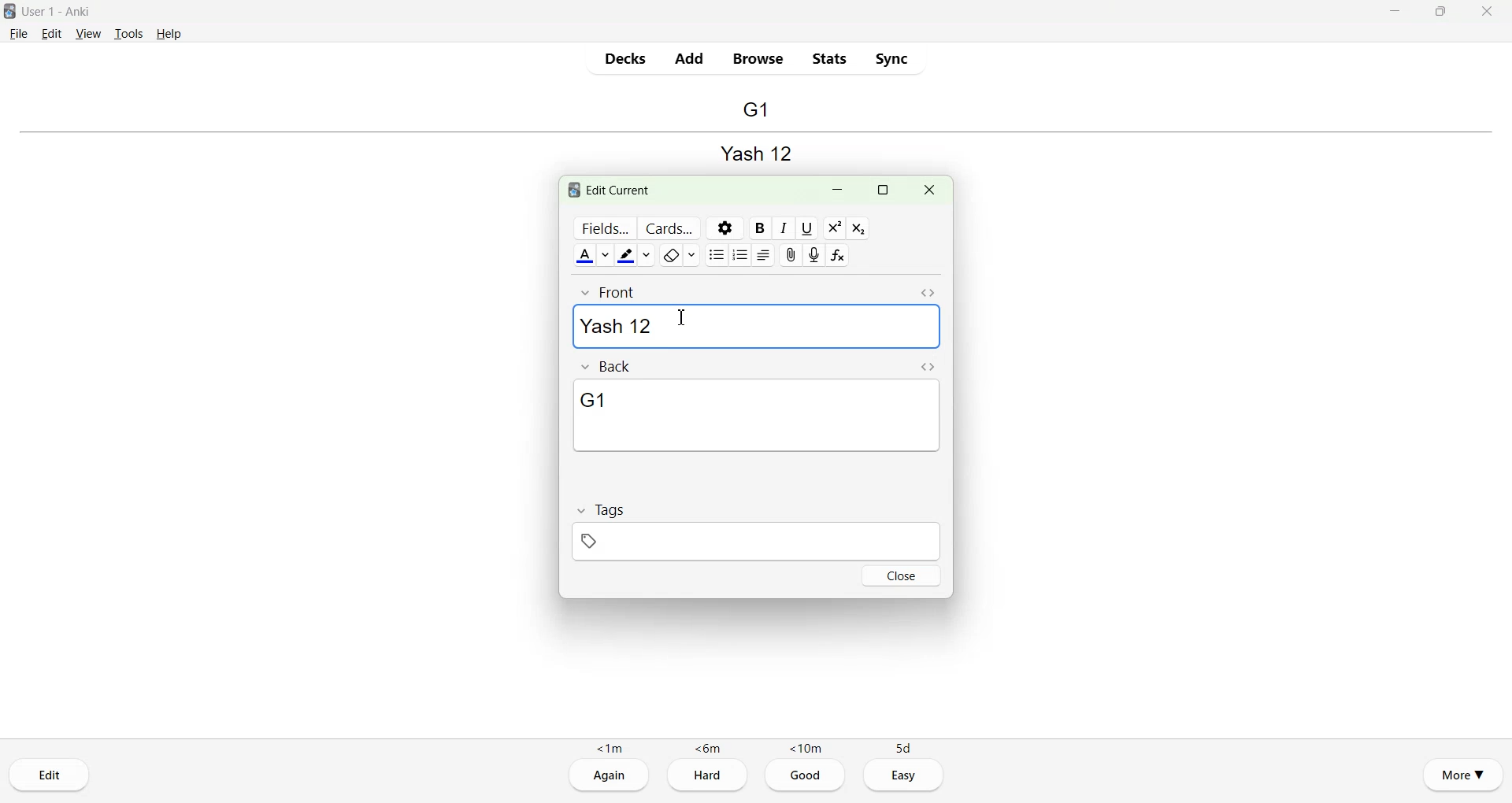 The height and width of the screenshot is (803, 1512). What do you see at coordinates (724, 228) in the screenshot?
I see `Options` at bounding box center [724, 228].